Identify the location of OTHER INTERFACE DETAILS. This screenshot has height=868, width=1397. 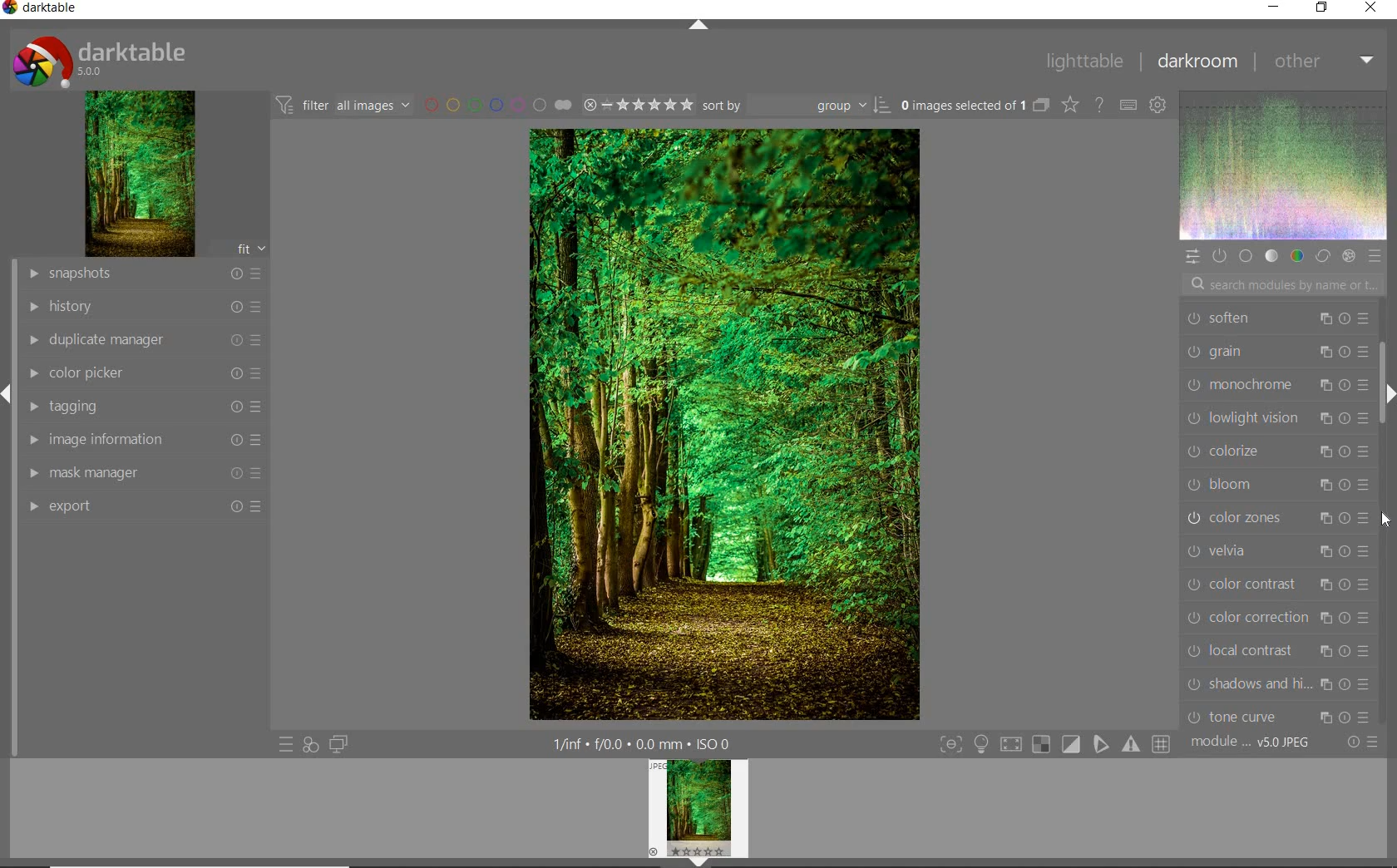
(641, 743).